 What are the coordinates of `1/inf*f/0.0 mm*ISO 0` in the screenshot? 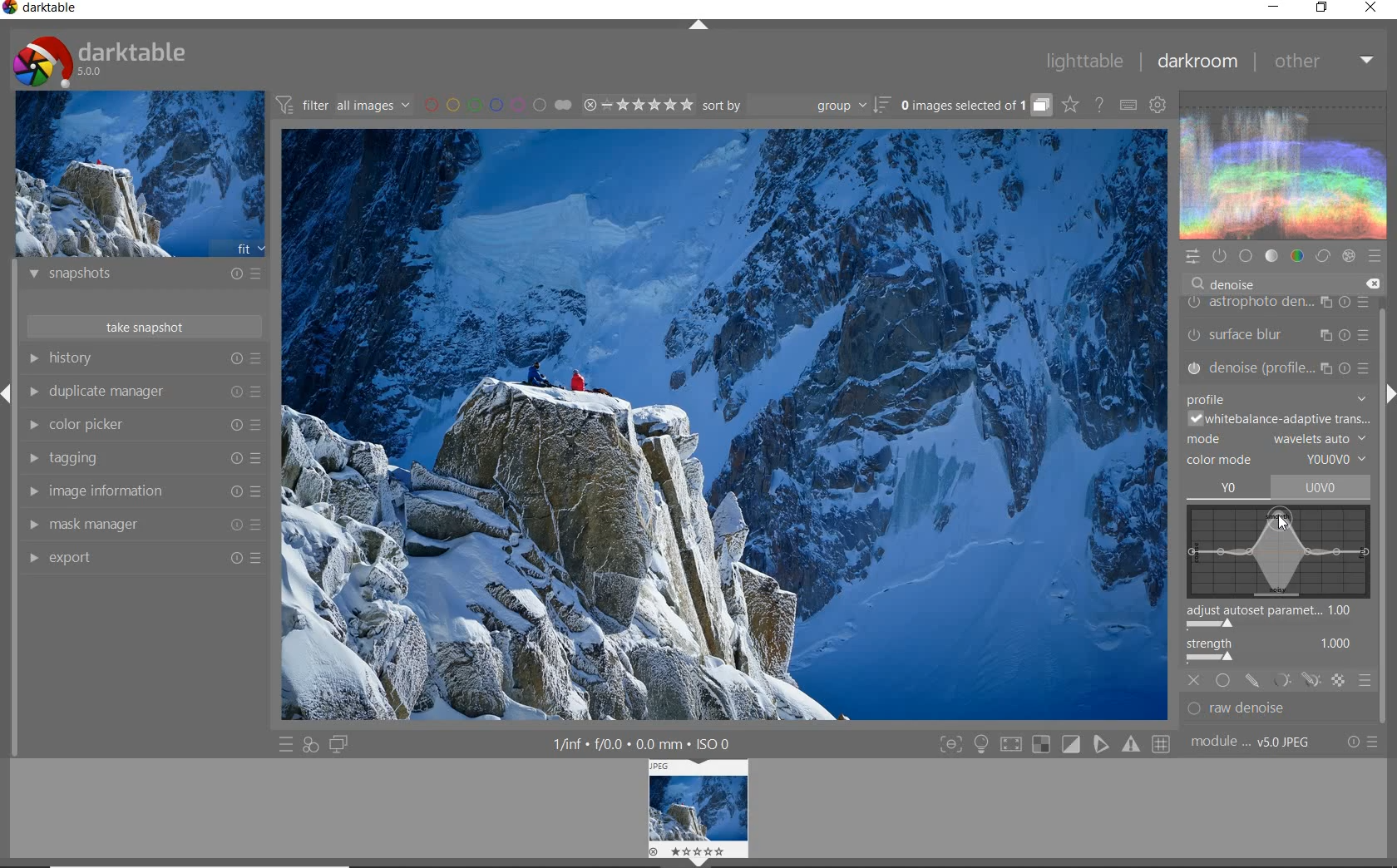 It's located at (648, 743).